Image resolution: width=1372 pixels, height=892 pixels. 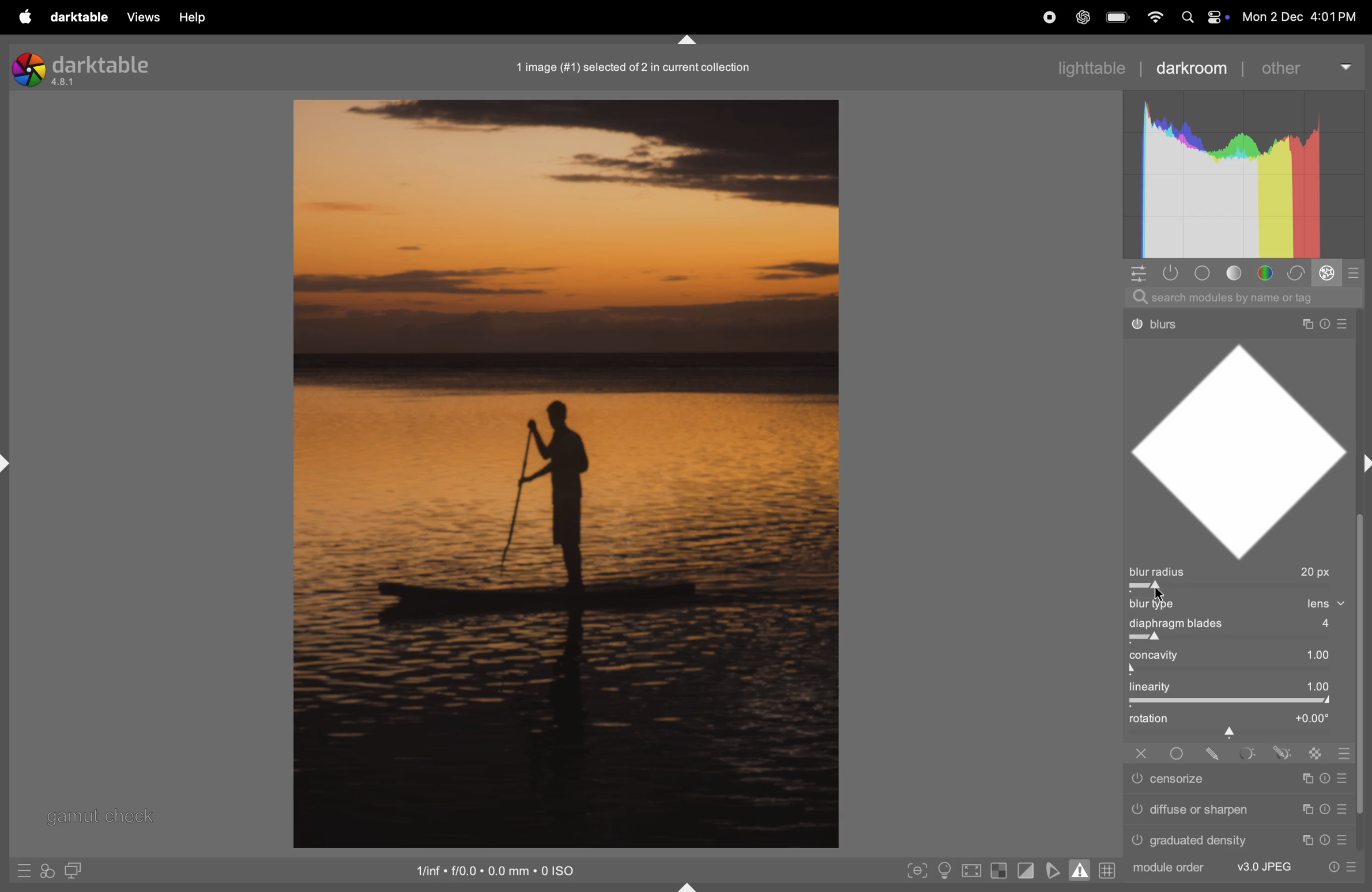 I want to click on toggle peak focusing mode, so click(x=917, y=871).